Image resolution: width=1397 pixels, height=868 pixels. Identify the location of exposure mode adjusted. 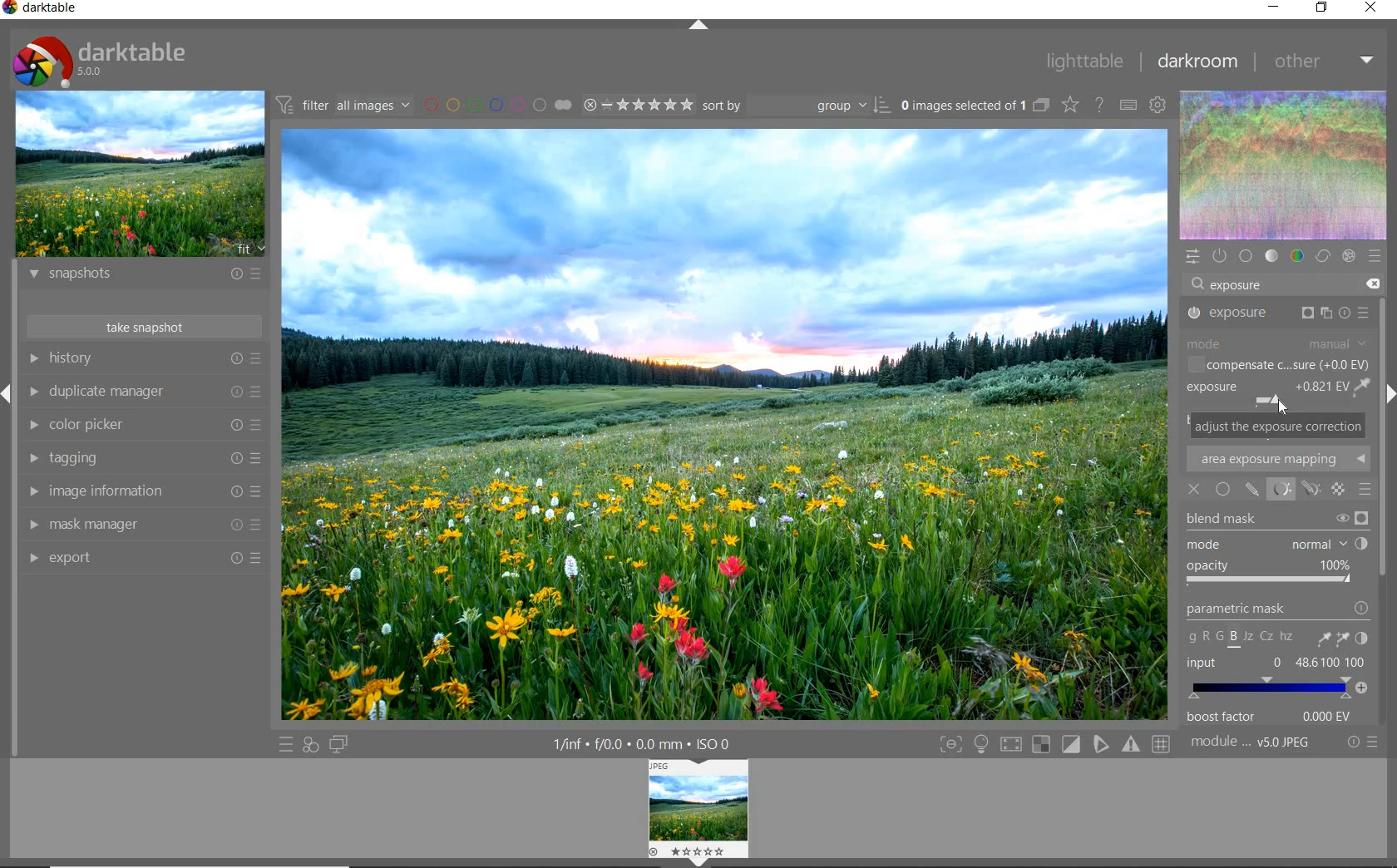
(1266, 393).